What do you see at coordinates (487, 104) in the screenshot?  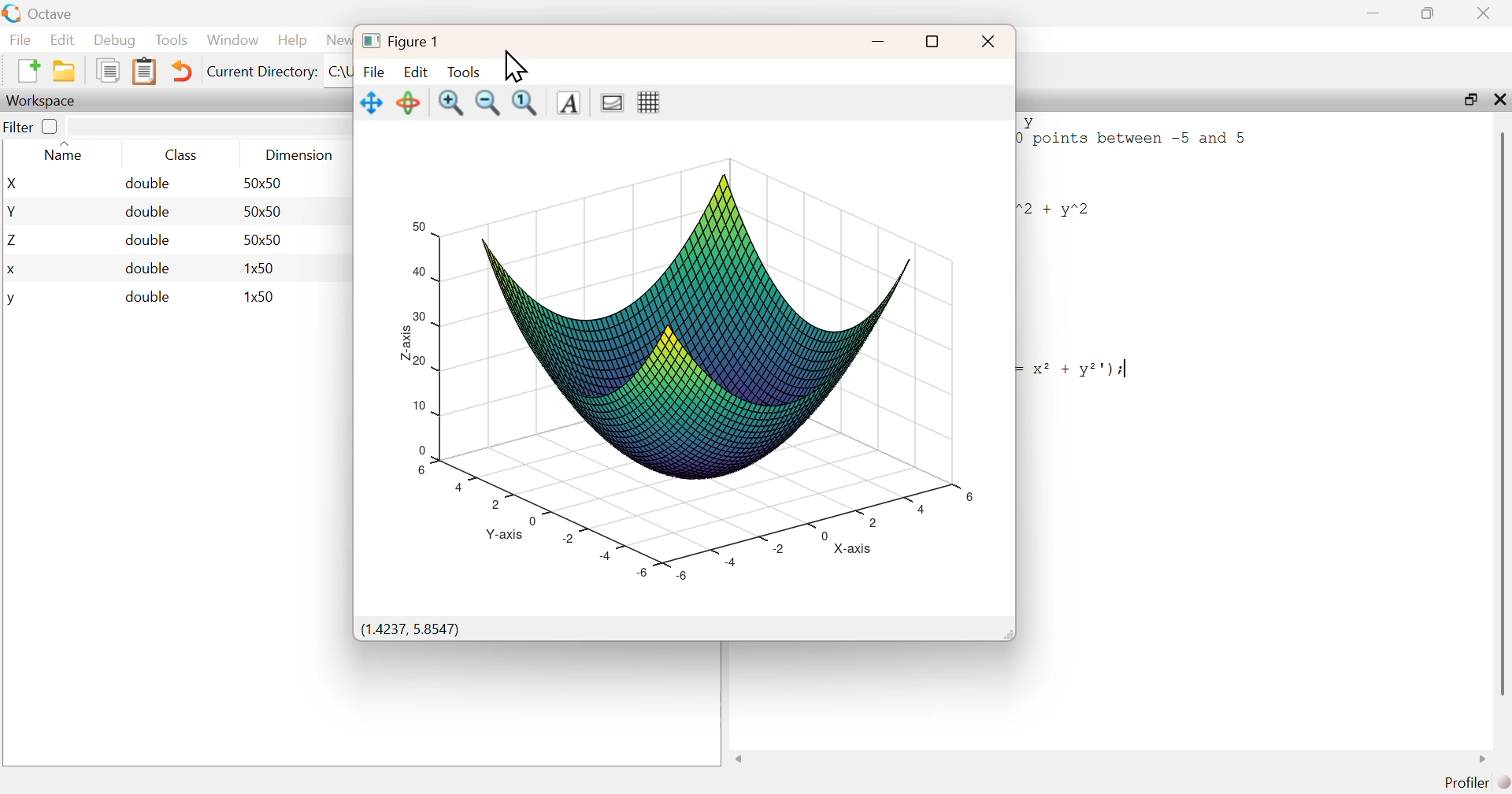 I see `Zoom out` at bounding box center [487, 104].